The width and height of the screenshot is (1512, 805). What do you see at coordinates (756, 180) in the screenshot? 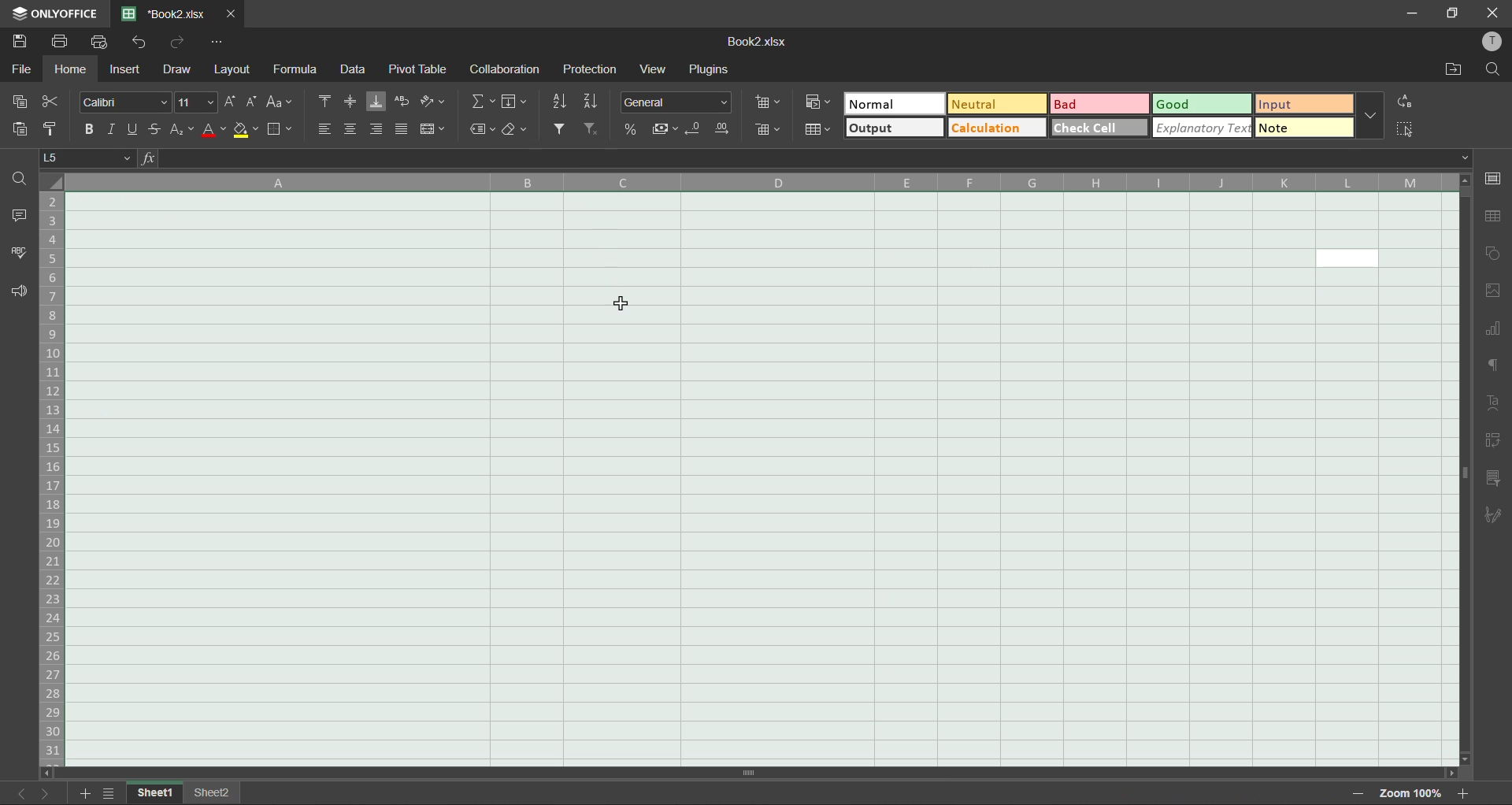
I see `column names` at bounding box center [756, 180].